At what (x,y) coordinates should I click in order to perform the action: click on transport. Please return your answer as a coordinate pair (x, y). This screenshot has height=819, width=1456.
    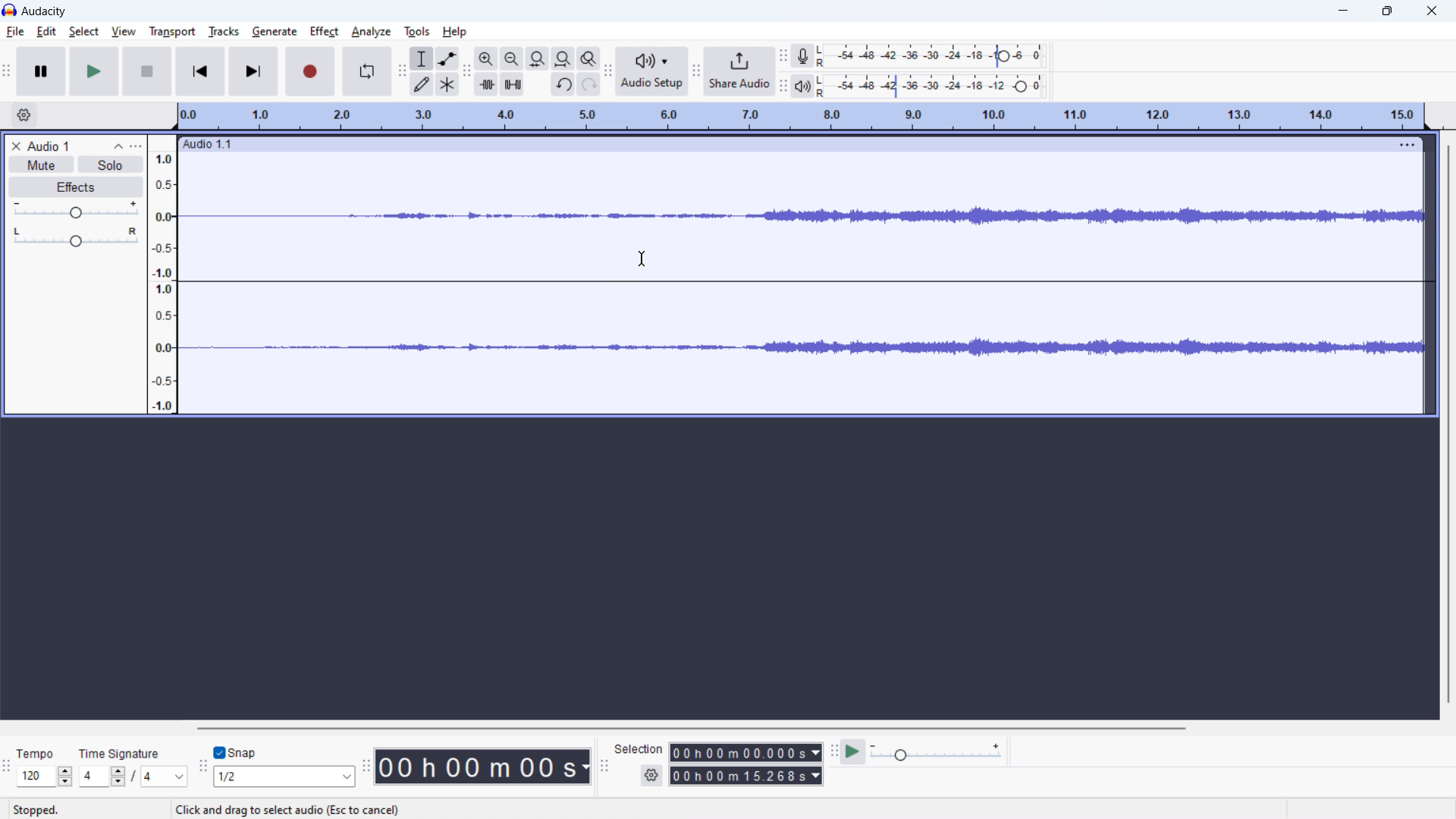
    Looking at the image, I should click on (173, 30).